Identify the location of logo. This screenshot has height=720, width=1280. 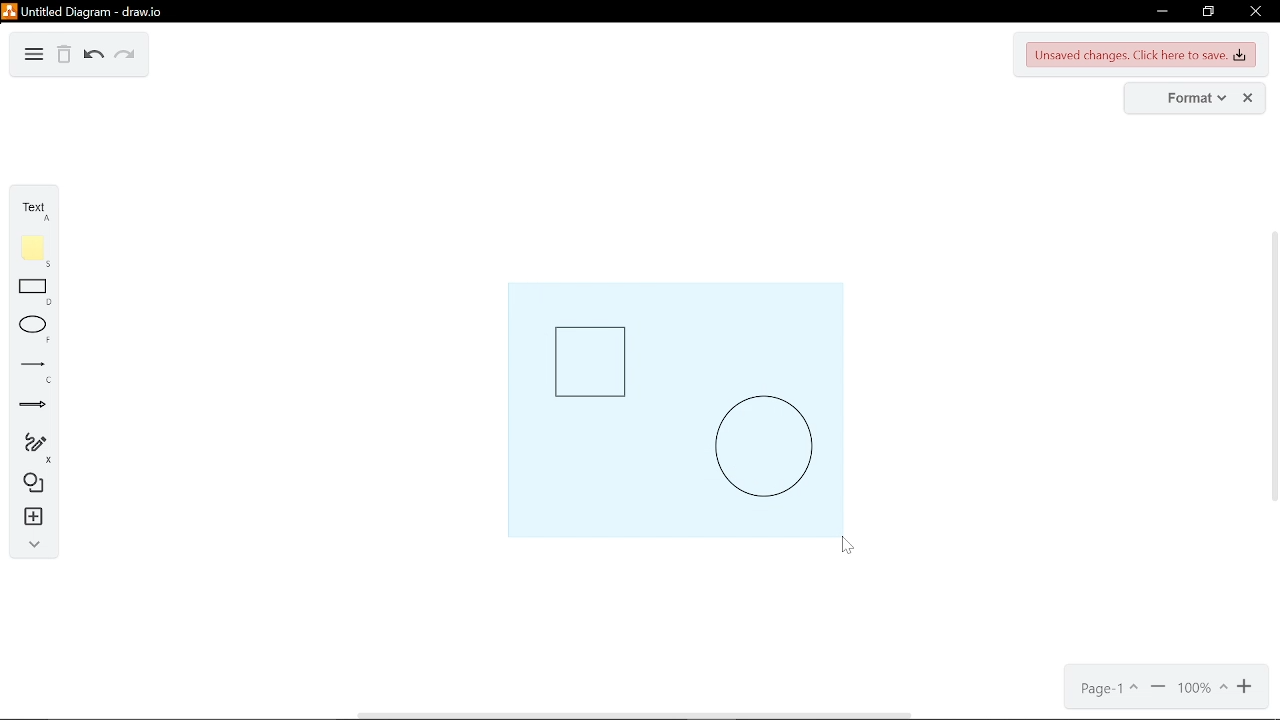
(9, 11).